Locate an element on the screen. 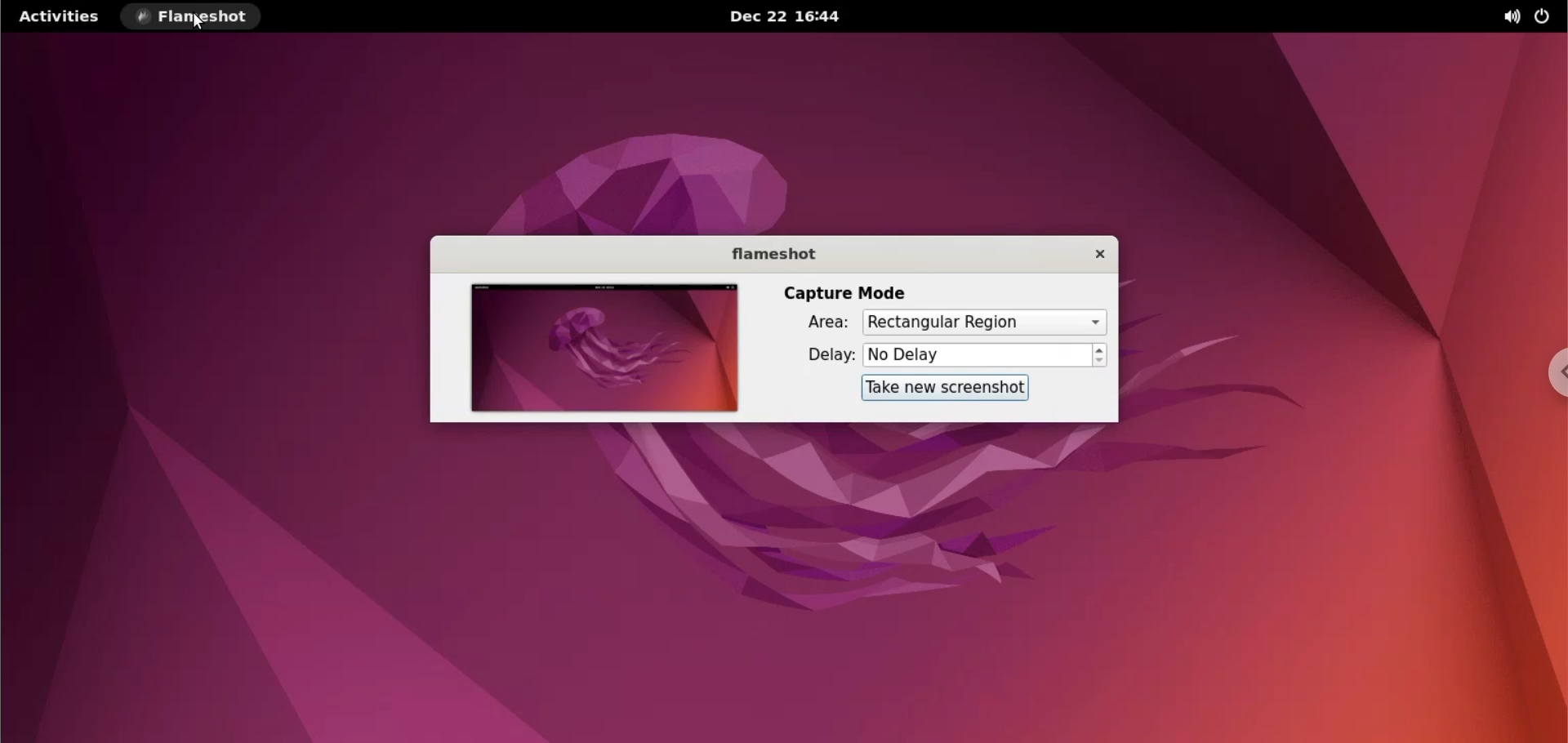 Image resolution: width=1568 pixels, height=743 pixels. flameshot options is located at coordinates (194, 16).